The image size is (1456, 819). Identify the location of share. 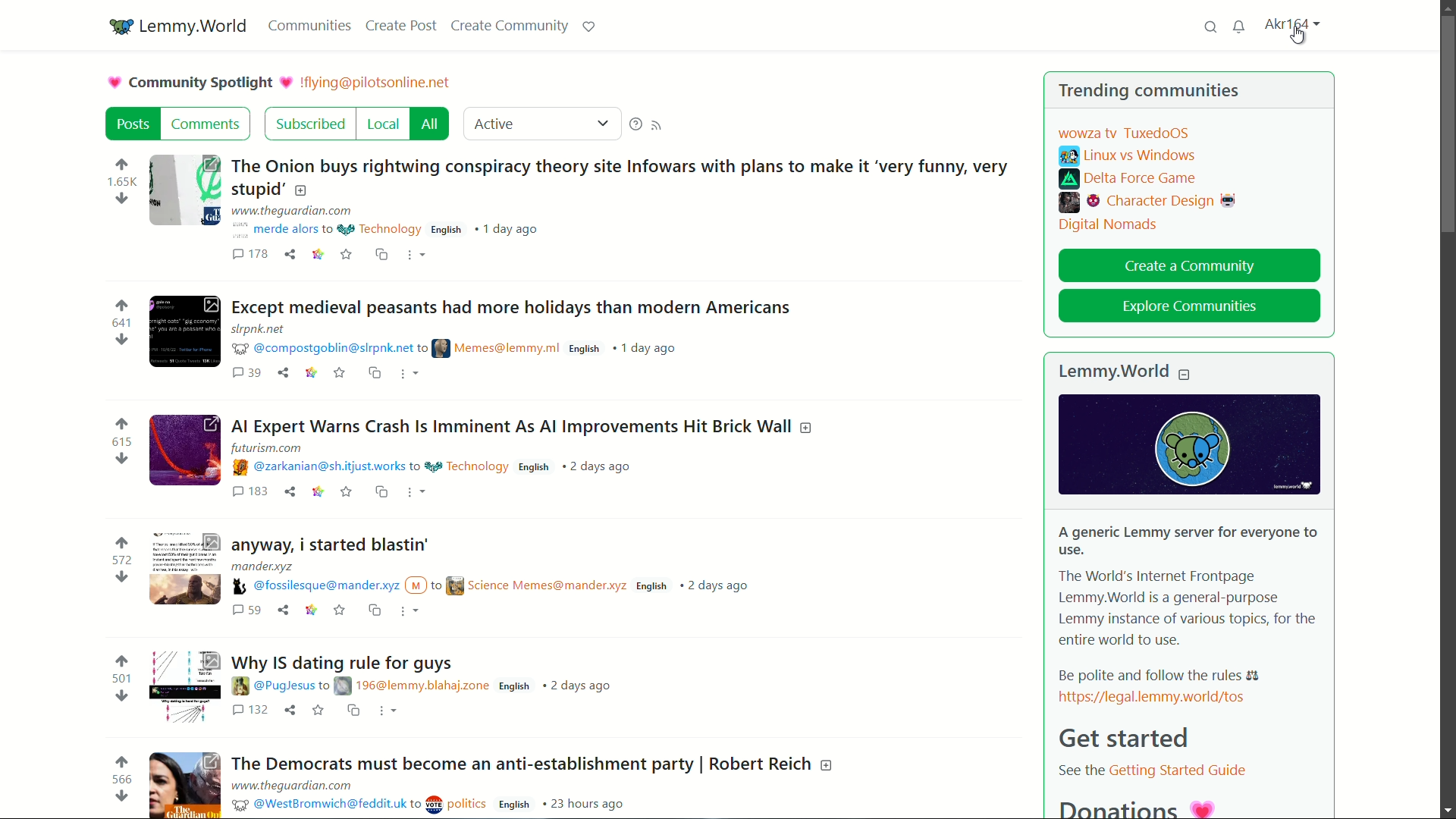
(281, 371).